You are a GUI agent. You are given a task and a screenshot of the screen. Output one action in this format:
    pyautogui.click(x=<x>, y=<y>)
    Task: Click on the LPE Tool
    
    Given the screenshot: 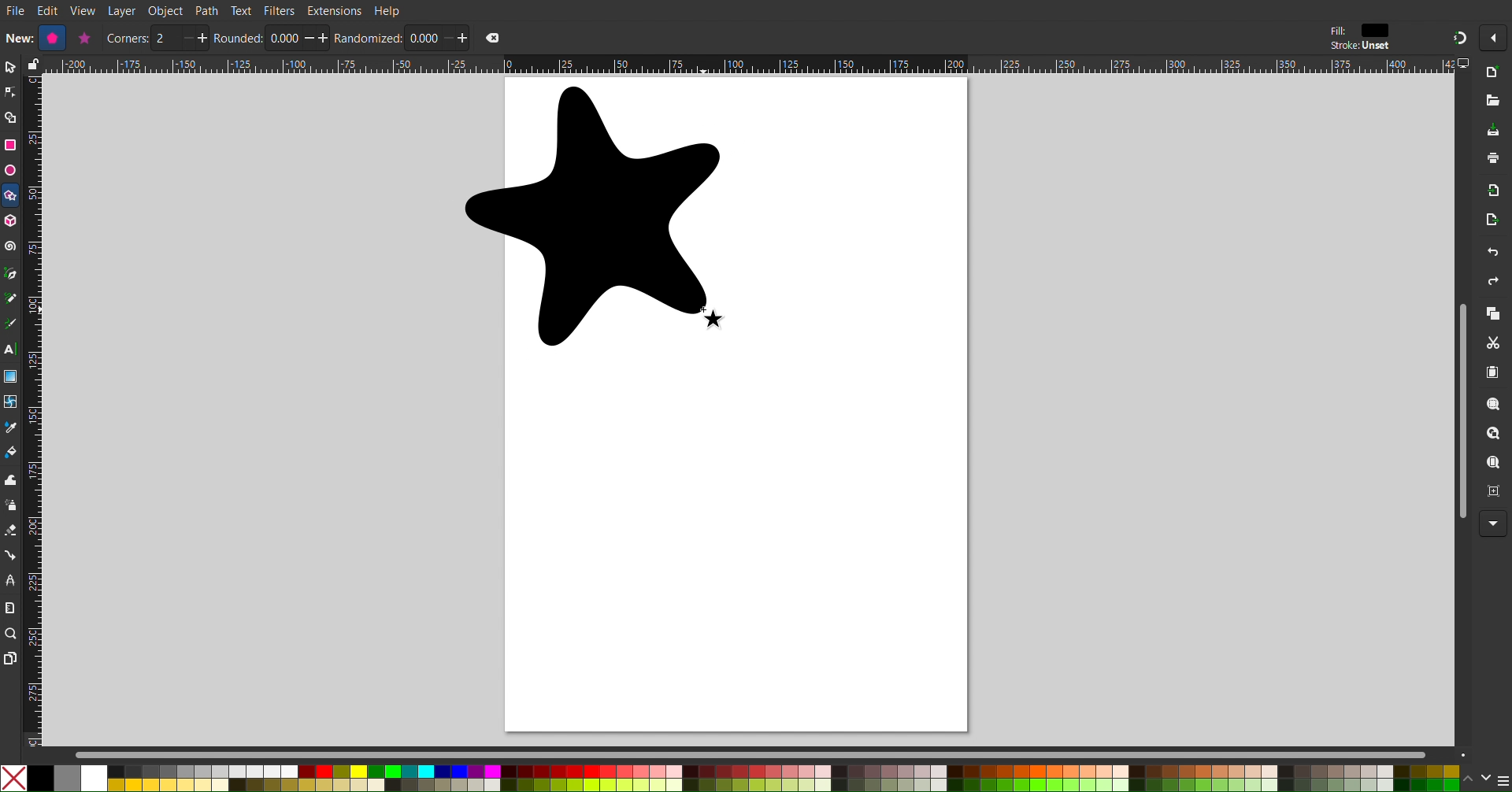 What is the action you would take?
    pyautogui.click(x=10, y=580)
    